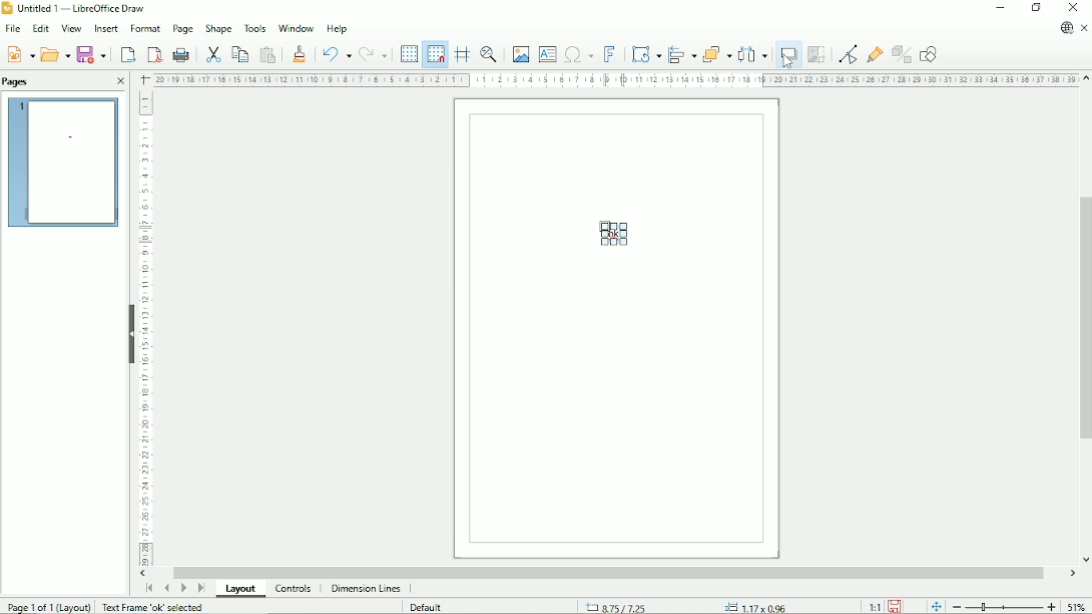 Image resolution: width=1092 pixels, height=614 pixels. I want to click on Textbox selected, so click(613, 235).